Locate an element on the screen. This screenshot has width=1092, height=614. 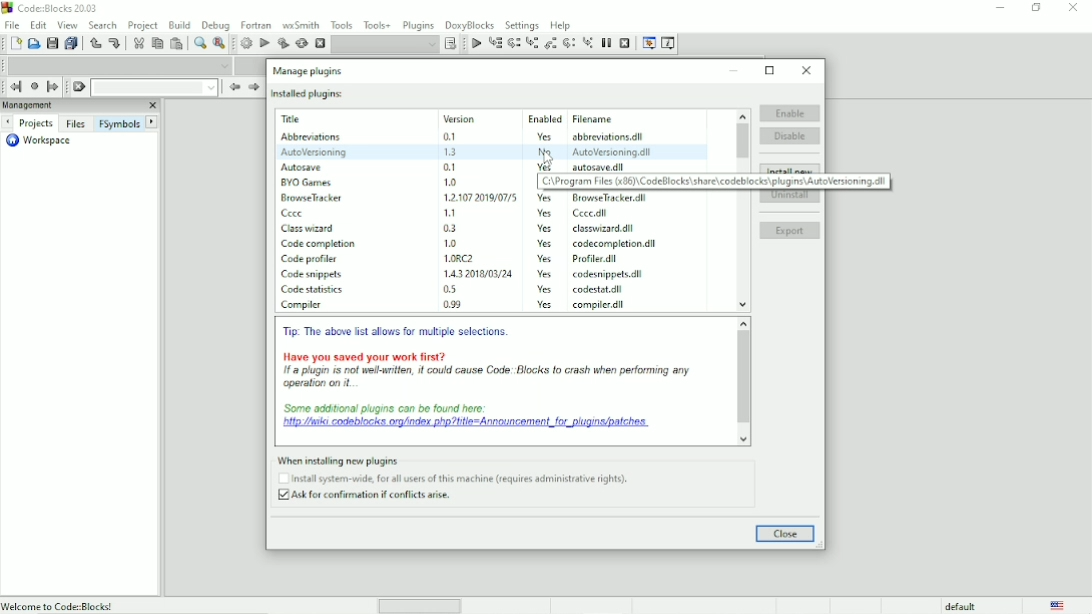
Minimize is located at coordinates (735, 71).